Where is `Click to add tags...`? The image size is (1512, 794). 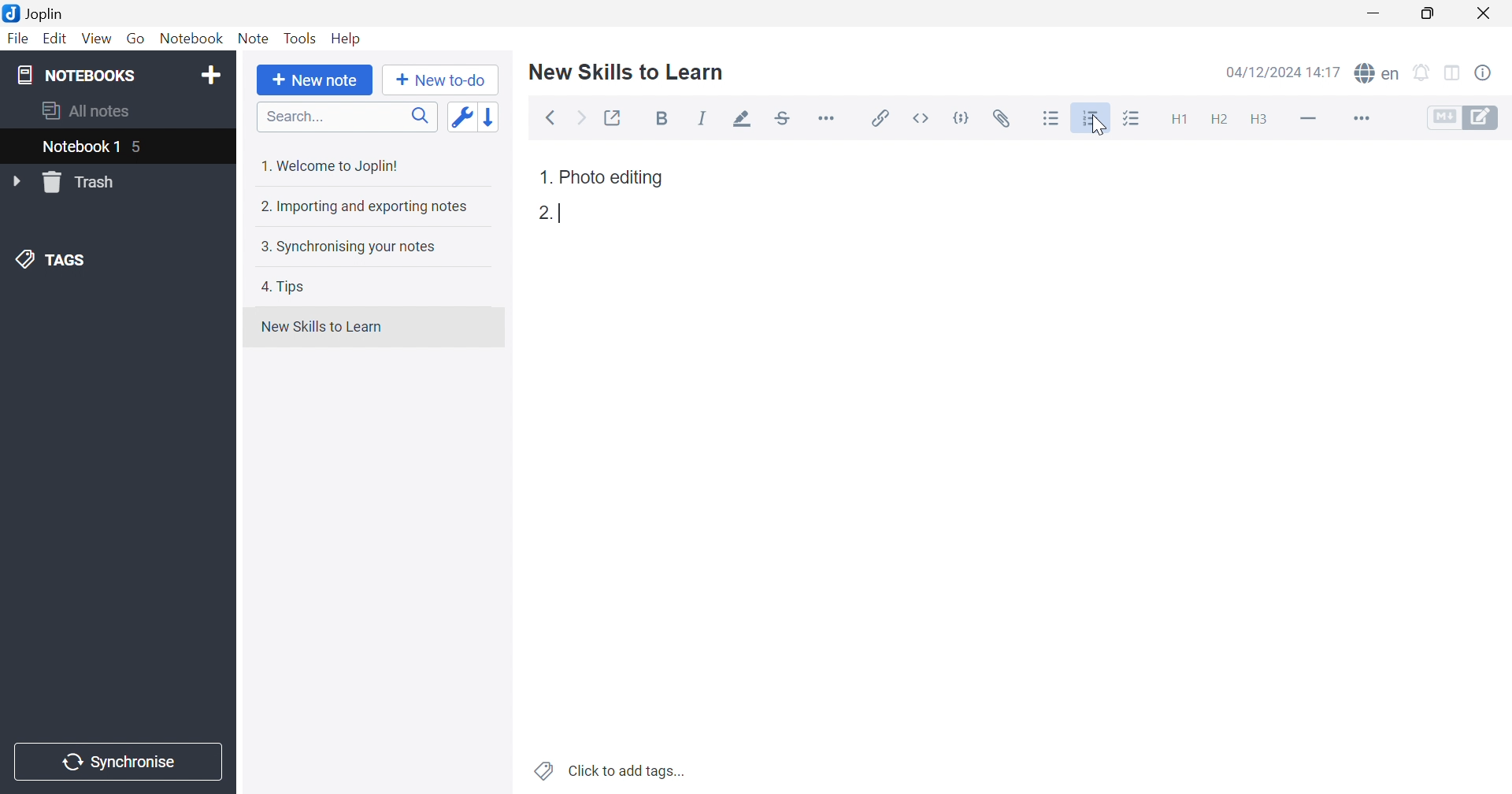
Click to add tags... is located at coordinates (612, 772).